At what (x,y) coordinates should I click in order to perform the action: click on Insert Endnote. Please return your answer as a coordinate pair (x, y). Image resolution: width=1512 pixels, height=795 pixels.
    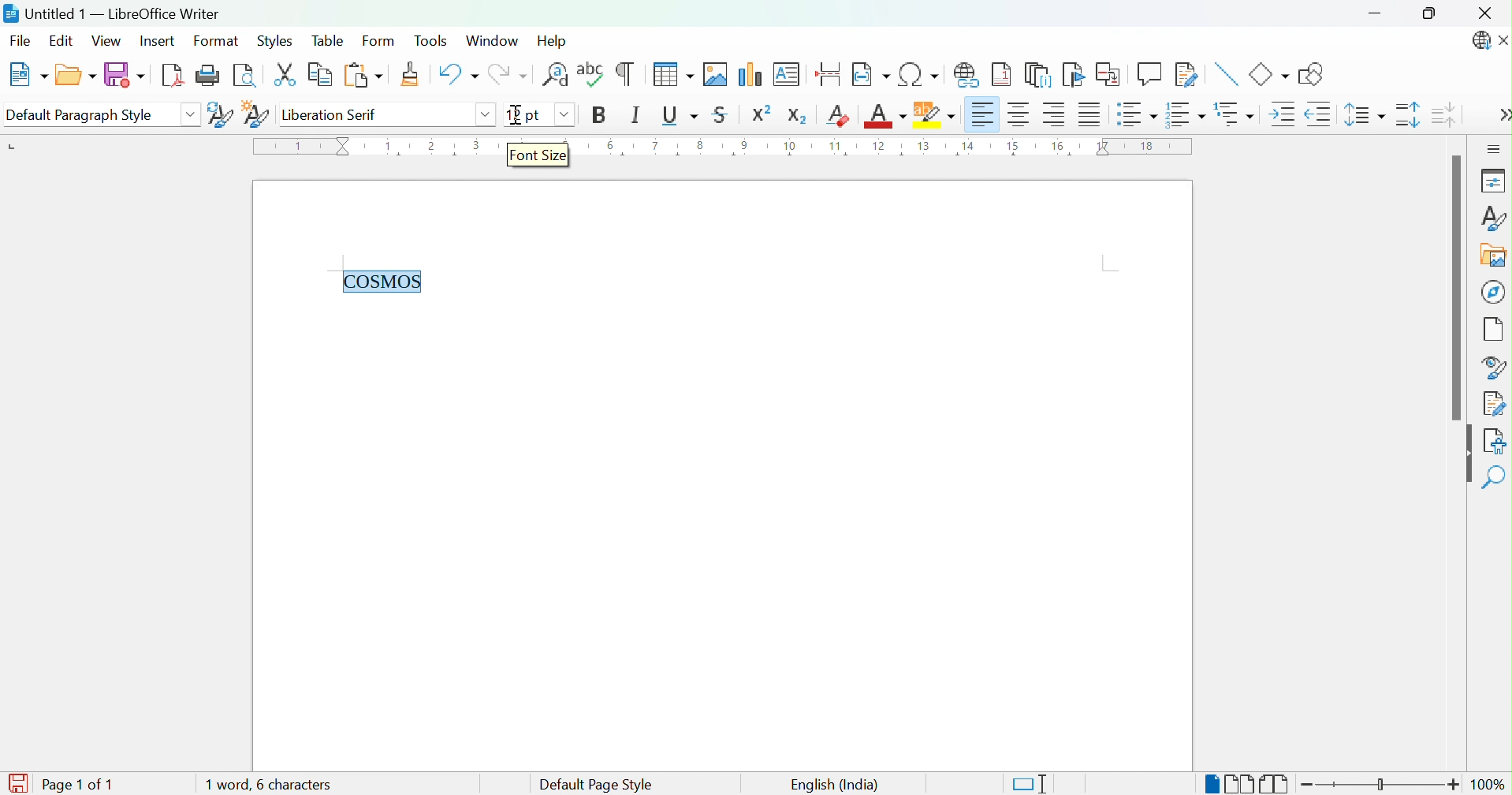
    Looking at the image, I should click on (1037, 74).